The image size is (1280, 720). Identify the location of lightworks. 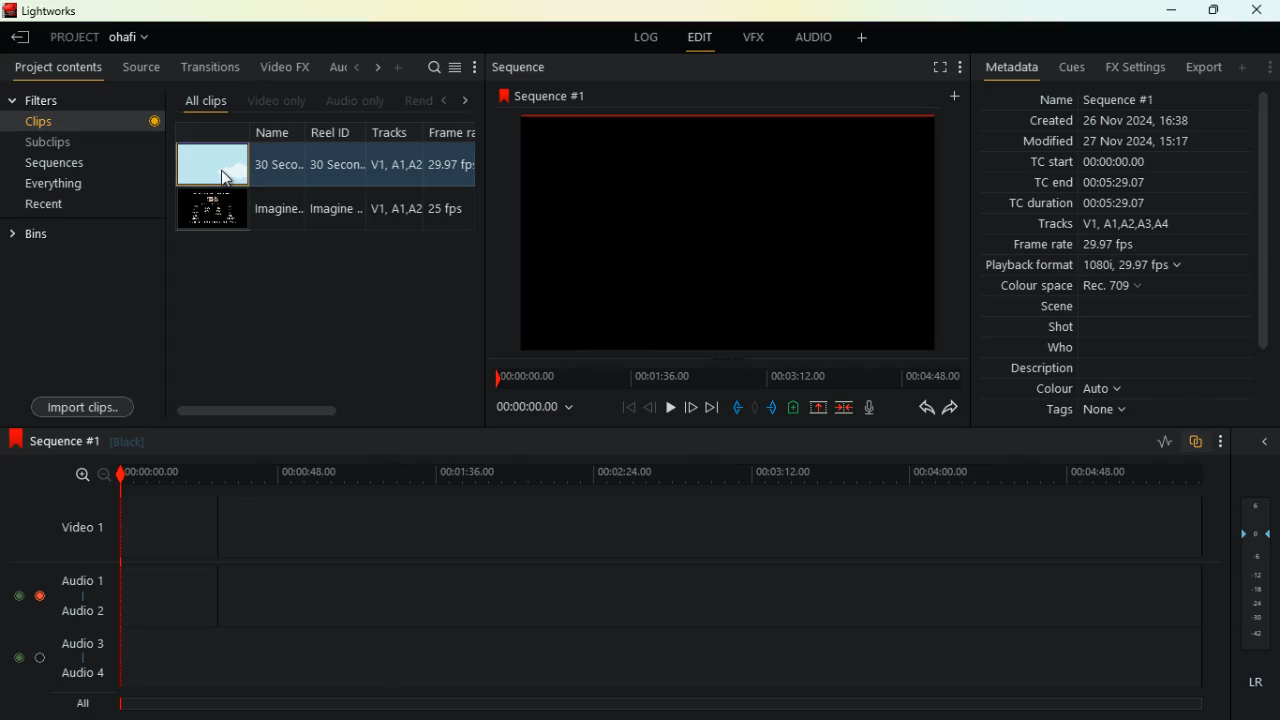
(49, 11).